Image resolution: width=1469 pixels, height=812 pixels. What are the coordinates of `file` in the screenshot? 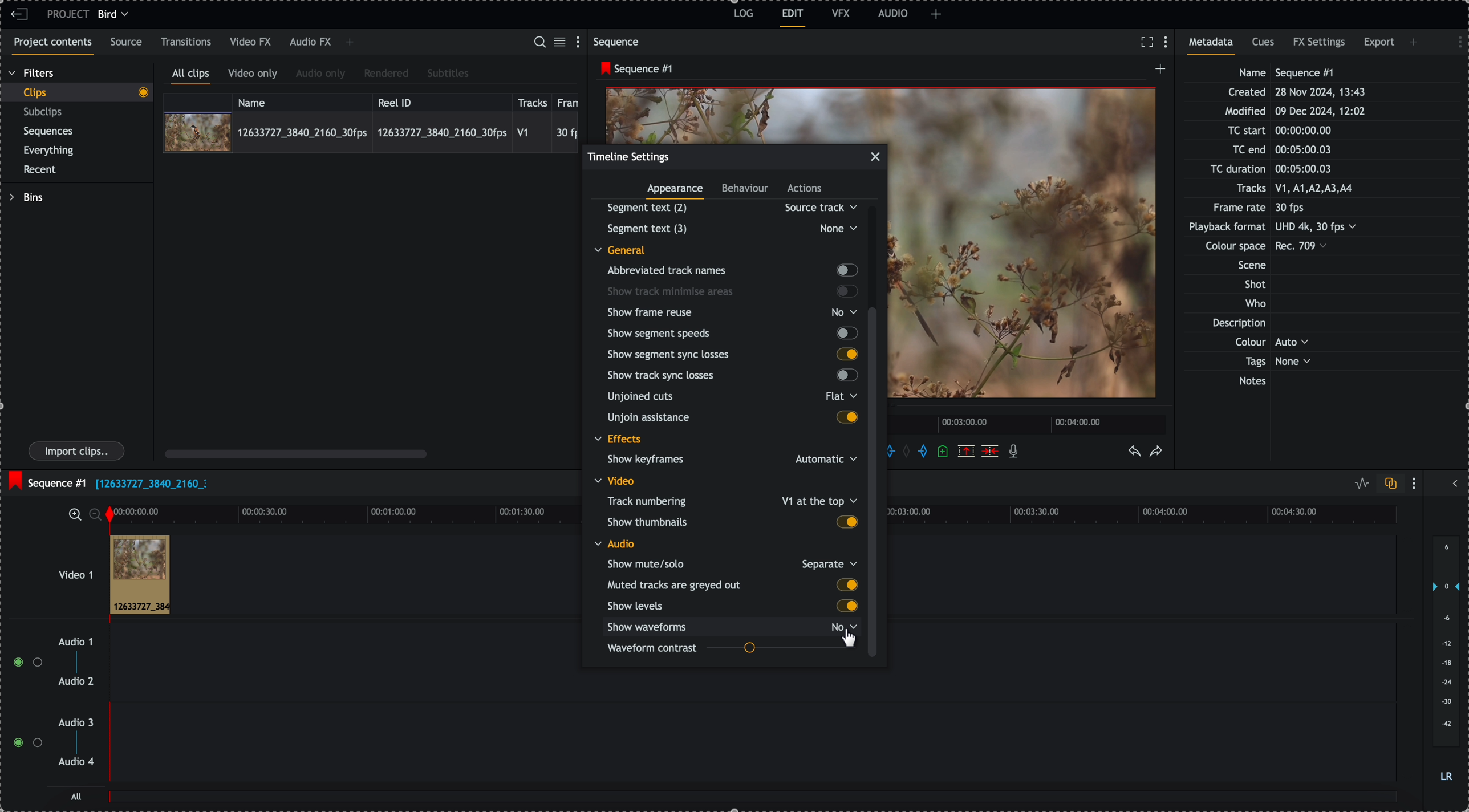 It's located at (151, 485).